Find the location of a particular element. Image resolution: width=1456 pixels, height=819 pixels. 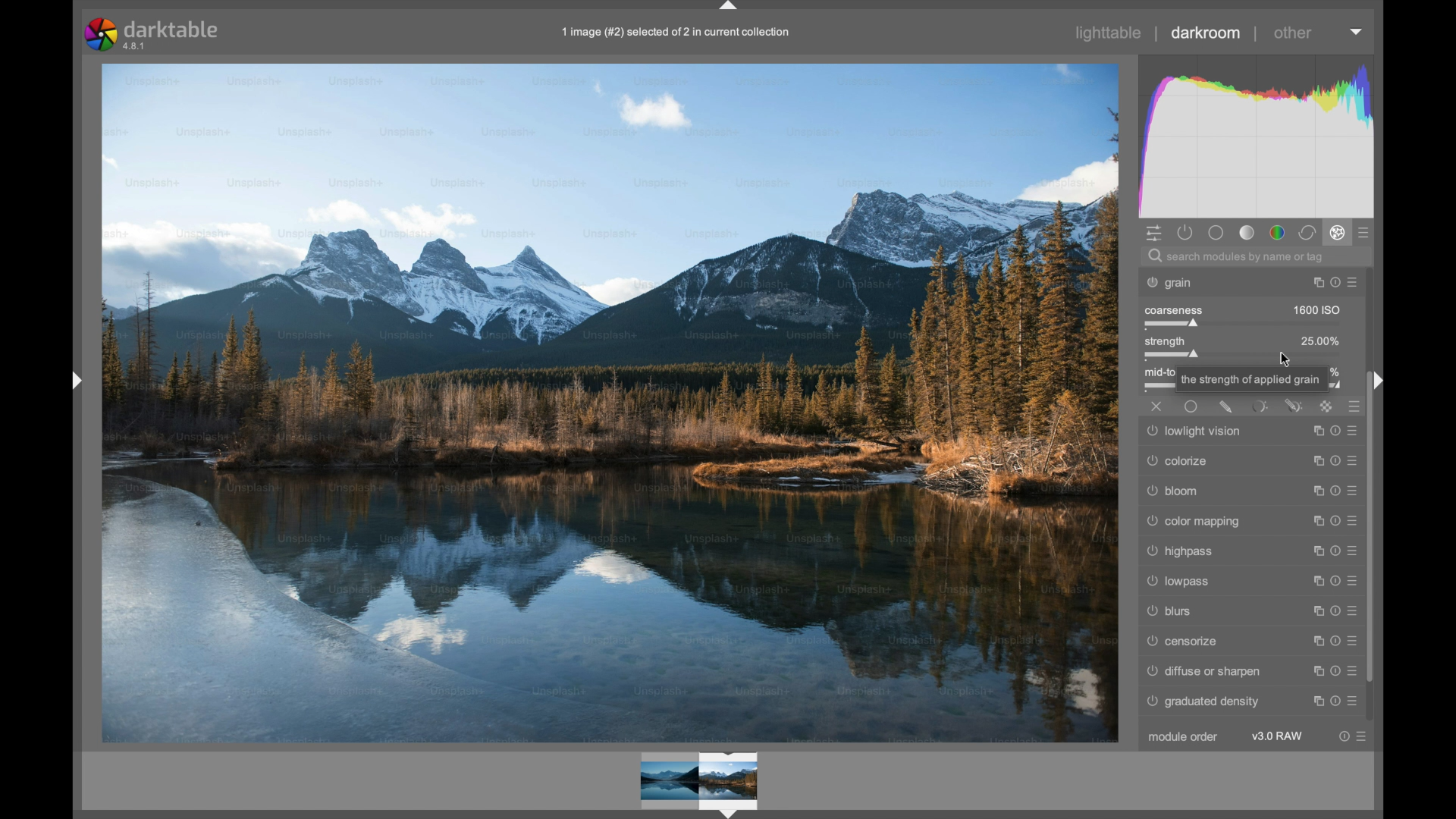

dropdown is located at coordinates (1356, 32).